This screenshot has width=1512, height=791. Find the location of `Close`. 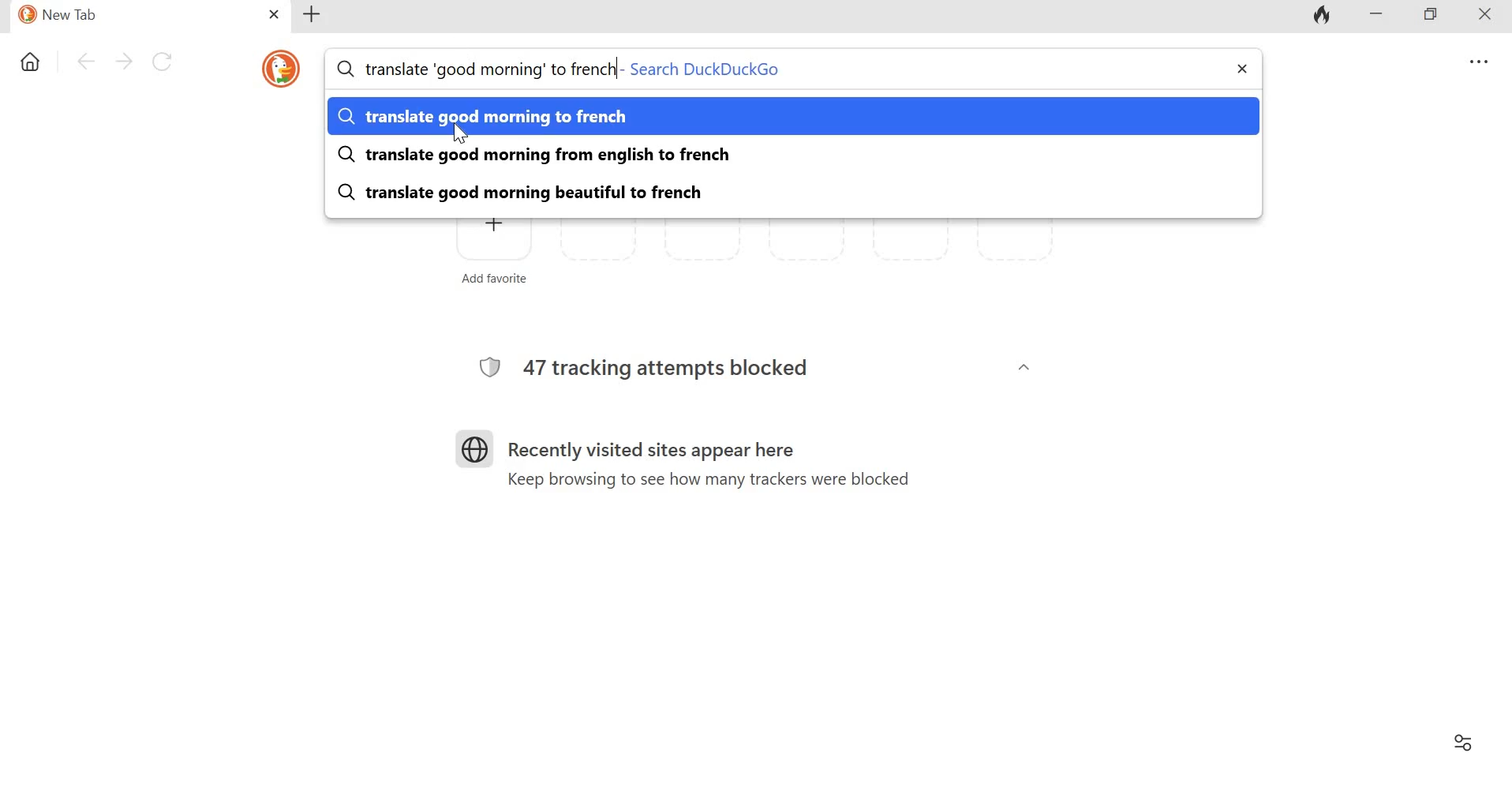

Close is located at coordinates (1489, 18).